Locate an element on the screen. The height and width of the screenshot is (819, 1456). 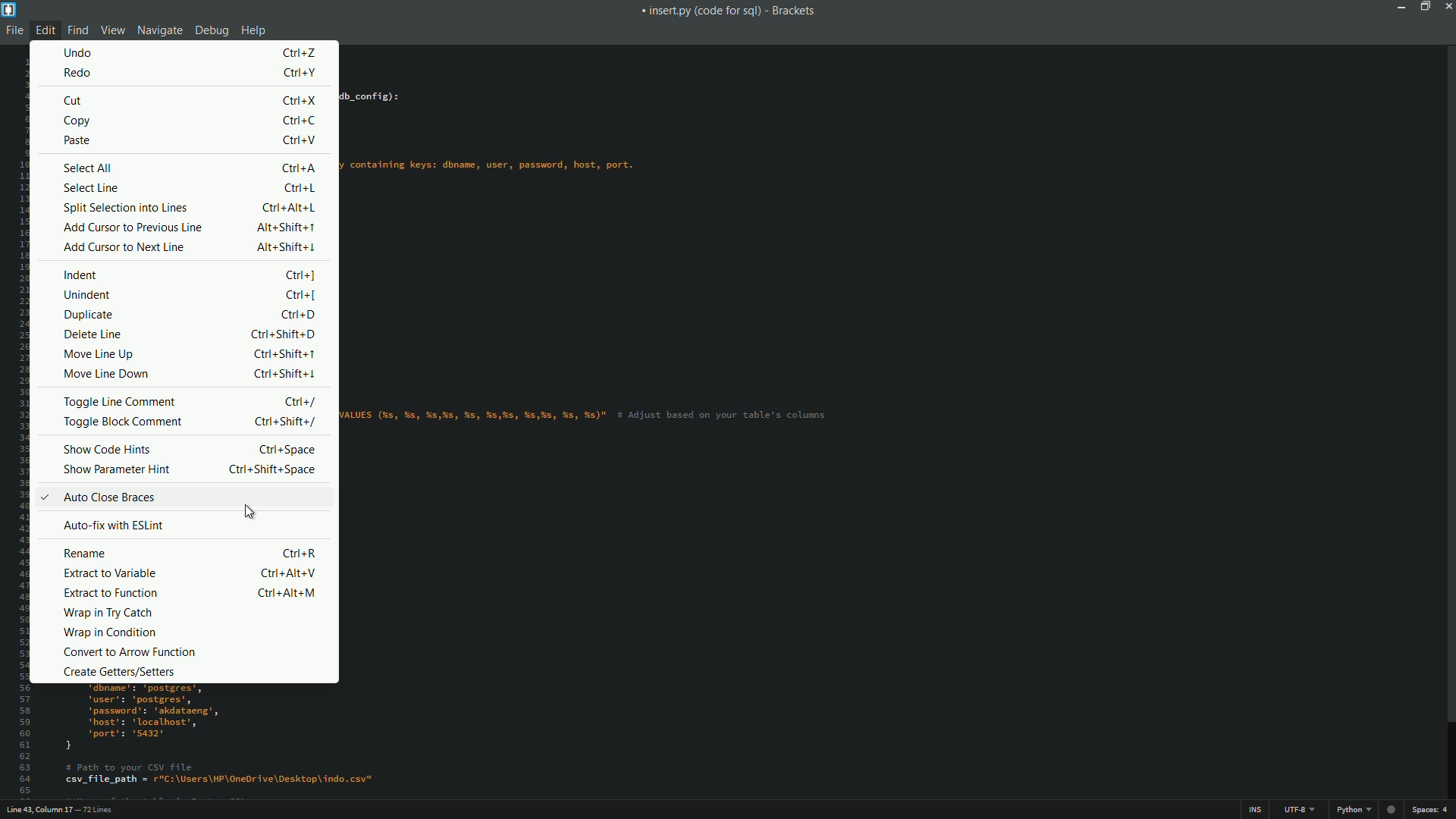
file encoding is located at coordinates (1299, 810).